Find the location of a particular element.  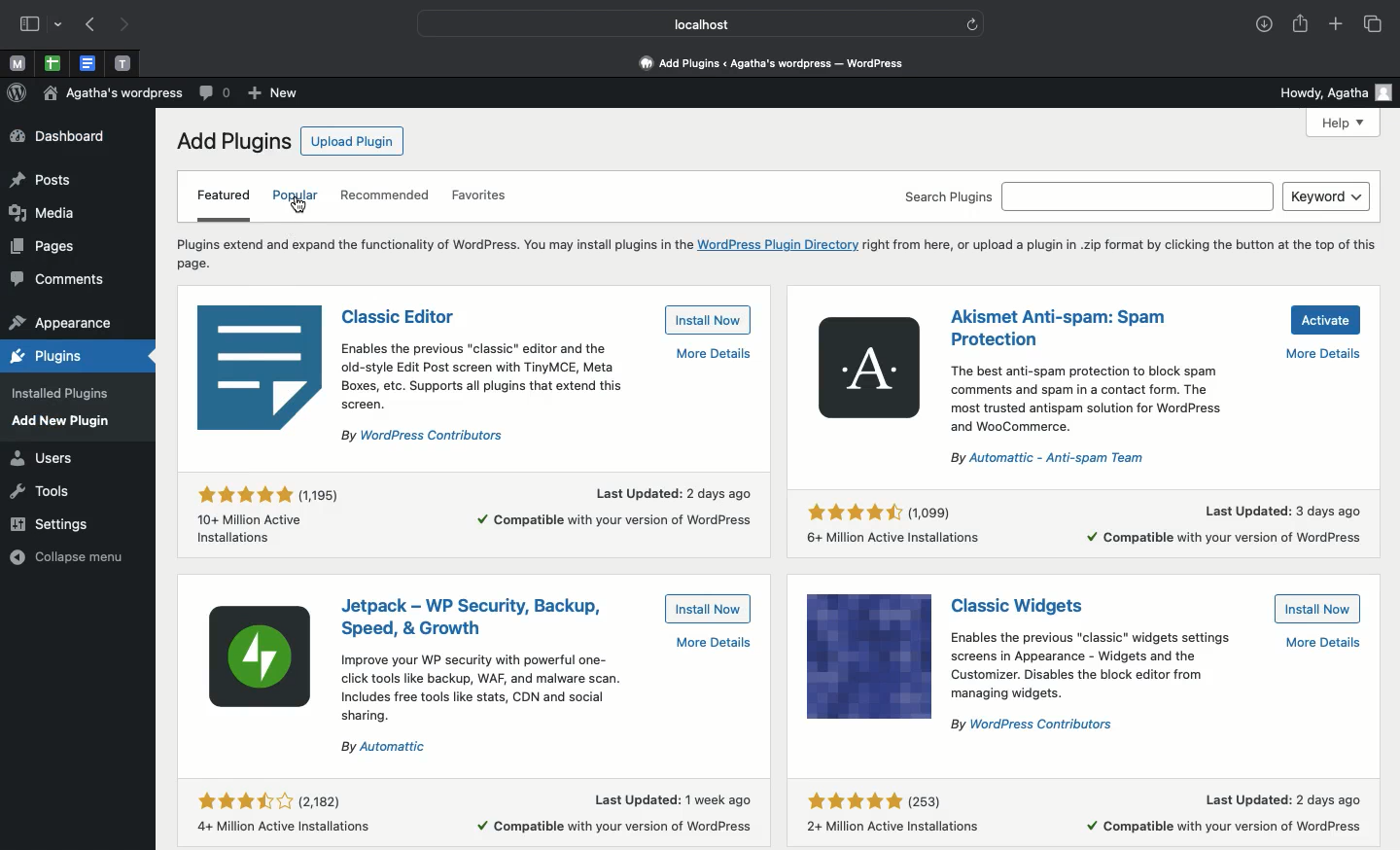

Howdy user is located at coordinates (1335, 90).